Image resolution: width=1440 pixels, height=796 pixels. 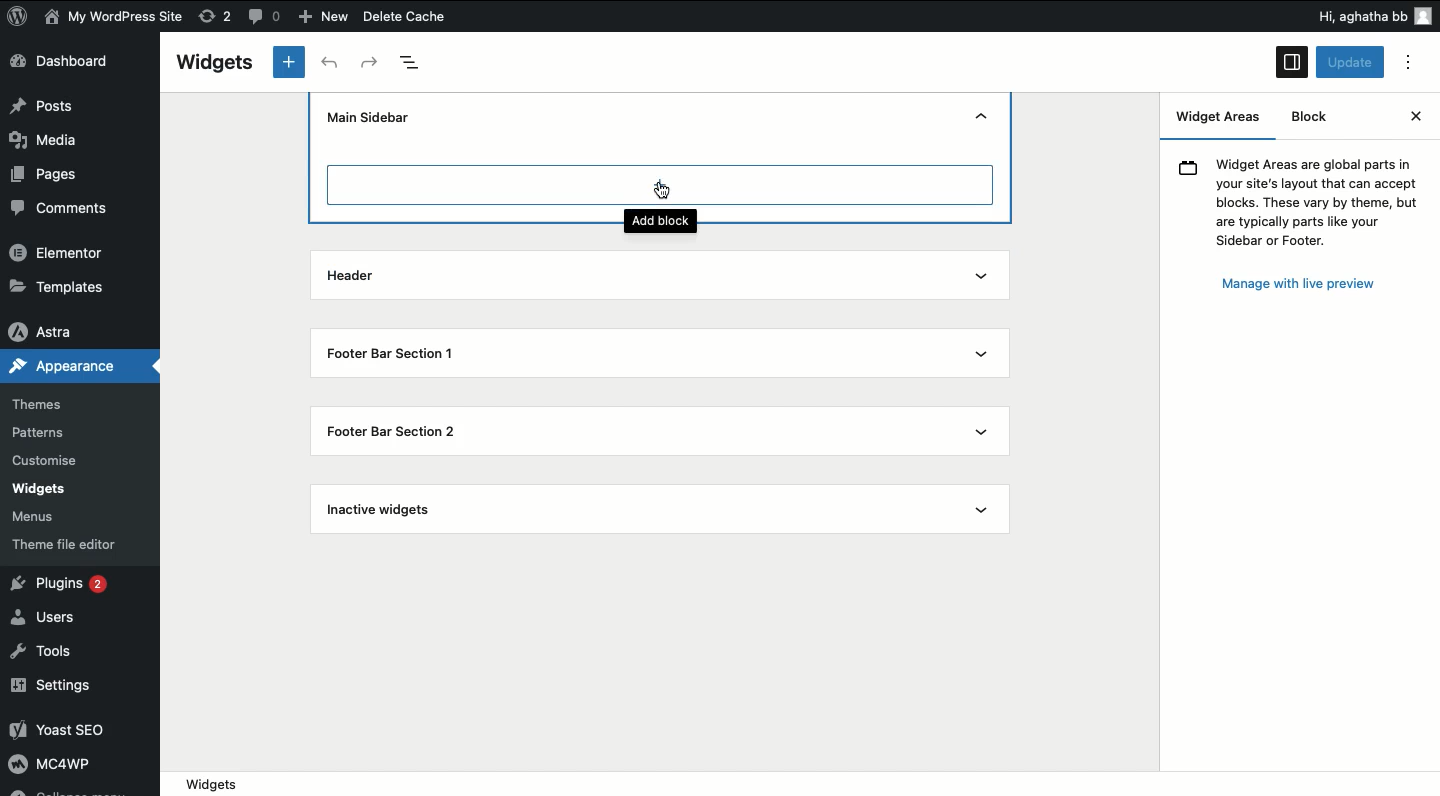 What do you see at coordinates (1309, 118) in the screenshot?
I see `Block` at bounding box center [1309, 118].